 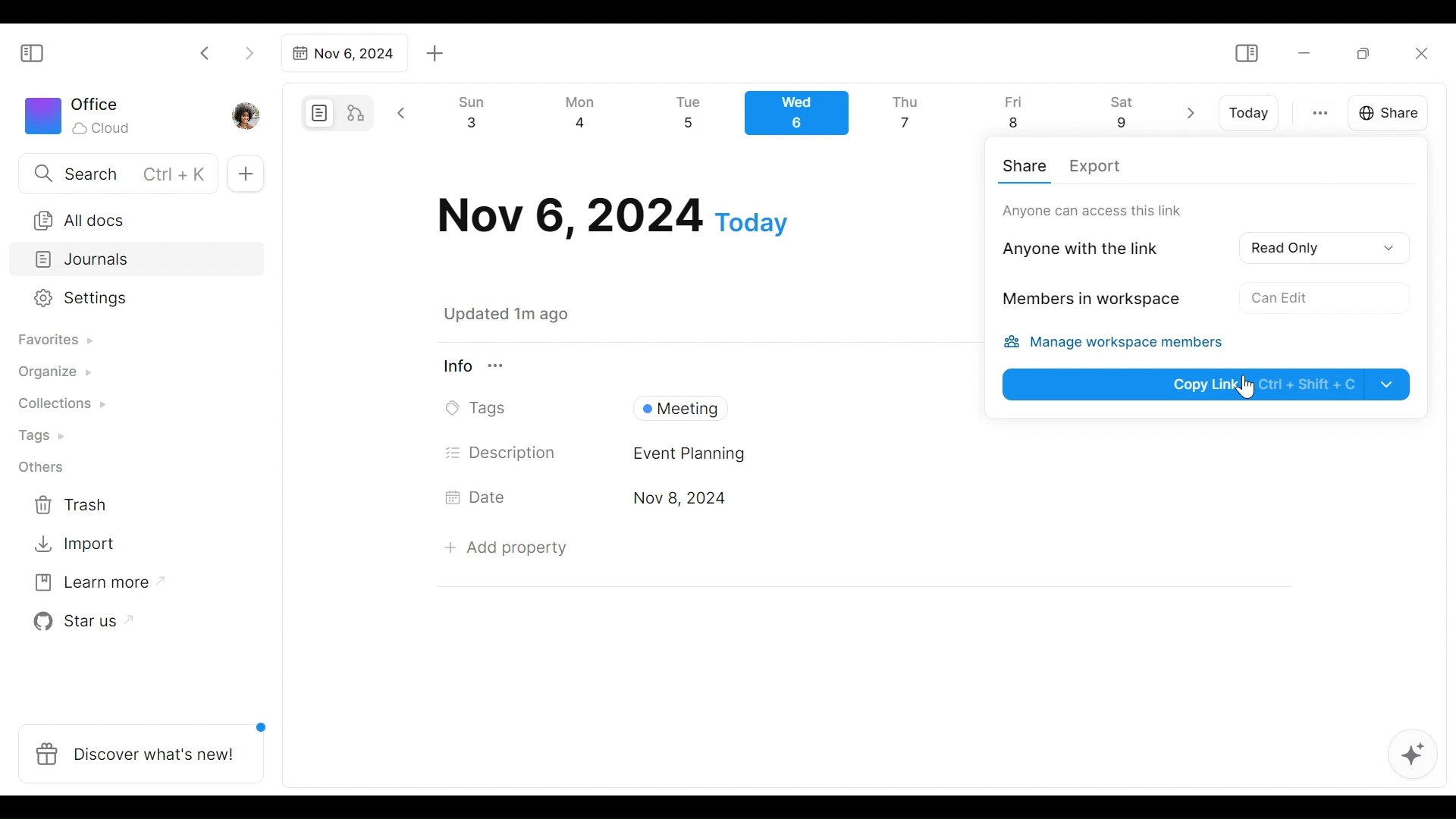 What do you see at coordinates (480, 409) in the screenshot?
I see `Tags` at bounding box center [480, 409].